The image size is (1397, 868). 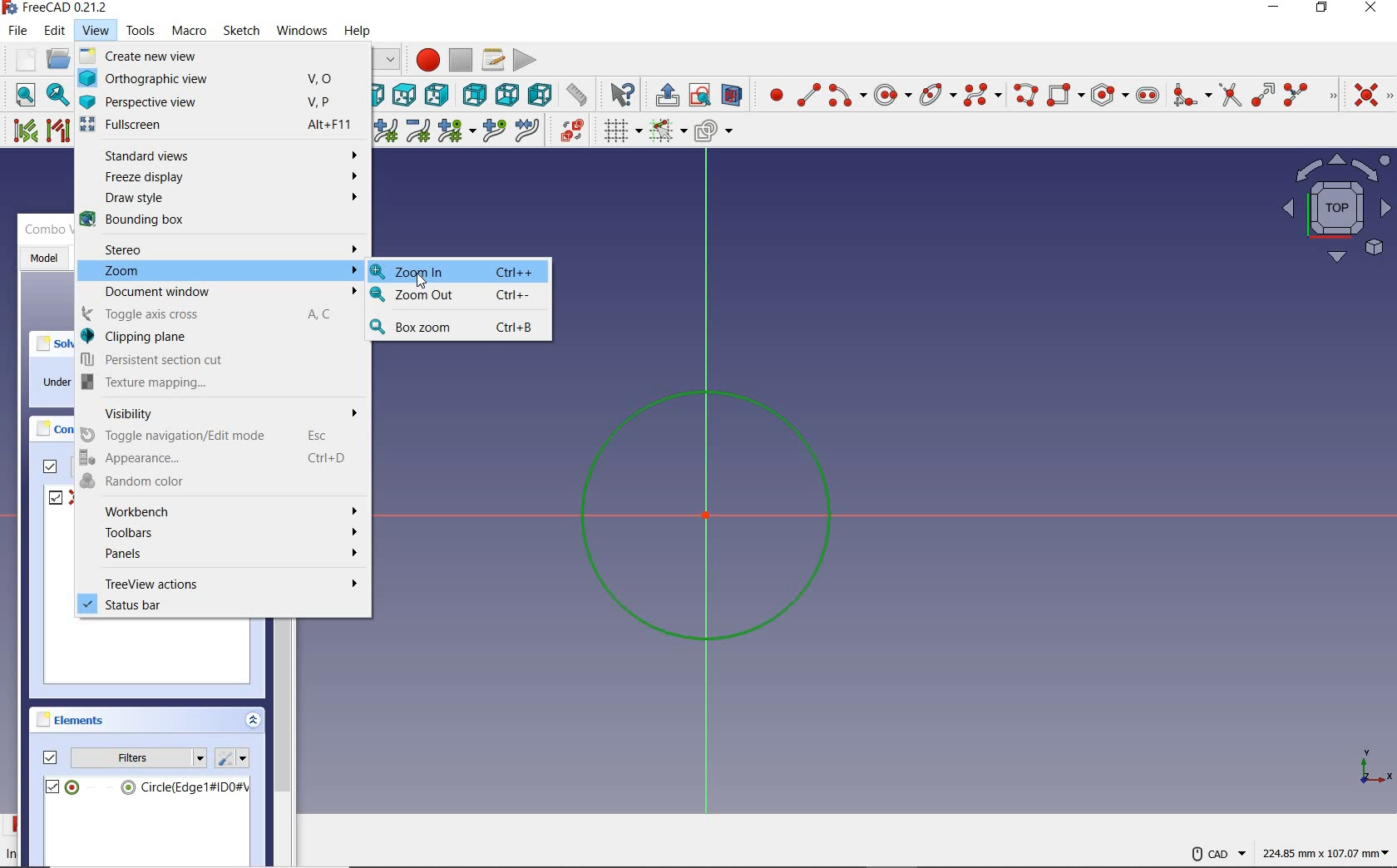 I want to click on , so click(x=667, y=129).